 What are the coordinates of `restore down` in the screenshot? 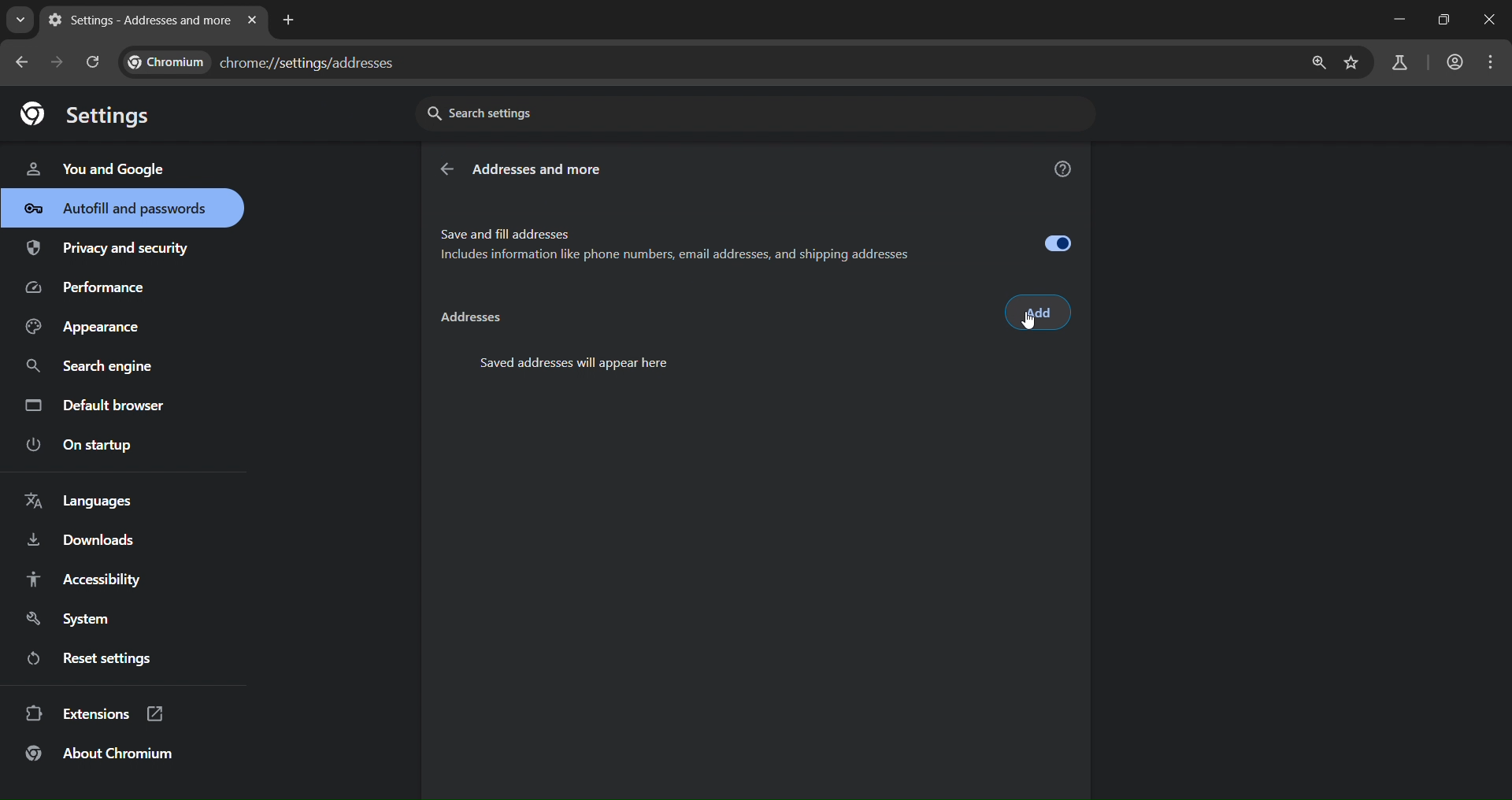 It's located at (1441, 20).